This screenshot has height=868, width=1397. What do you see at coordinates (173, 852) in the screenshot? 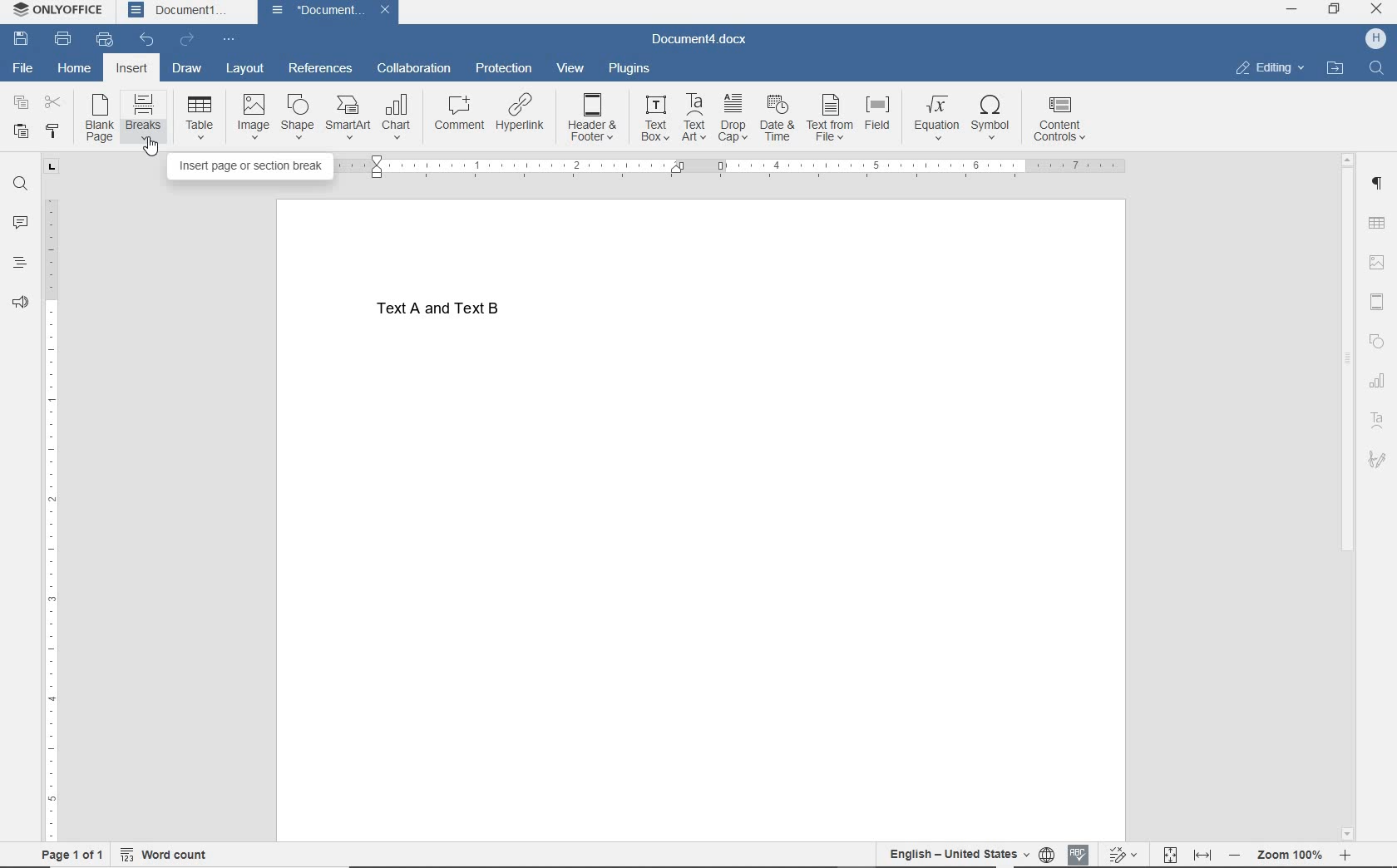
I see `WORD COUNT` at bounding box center [173, 852].